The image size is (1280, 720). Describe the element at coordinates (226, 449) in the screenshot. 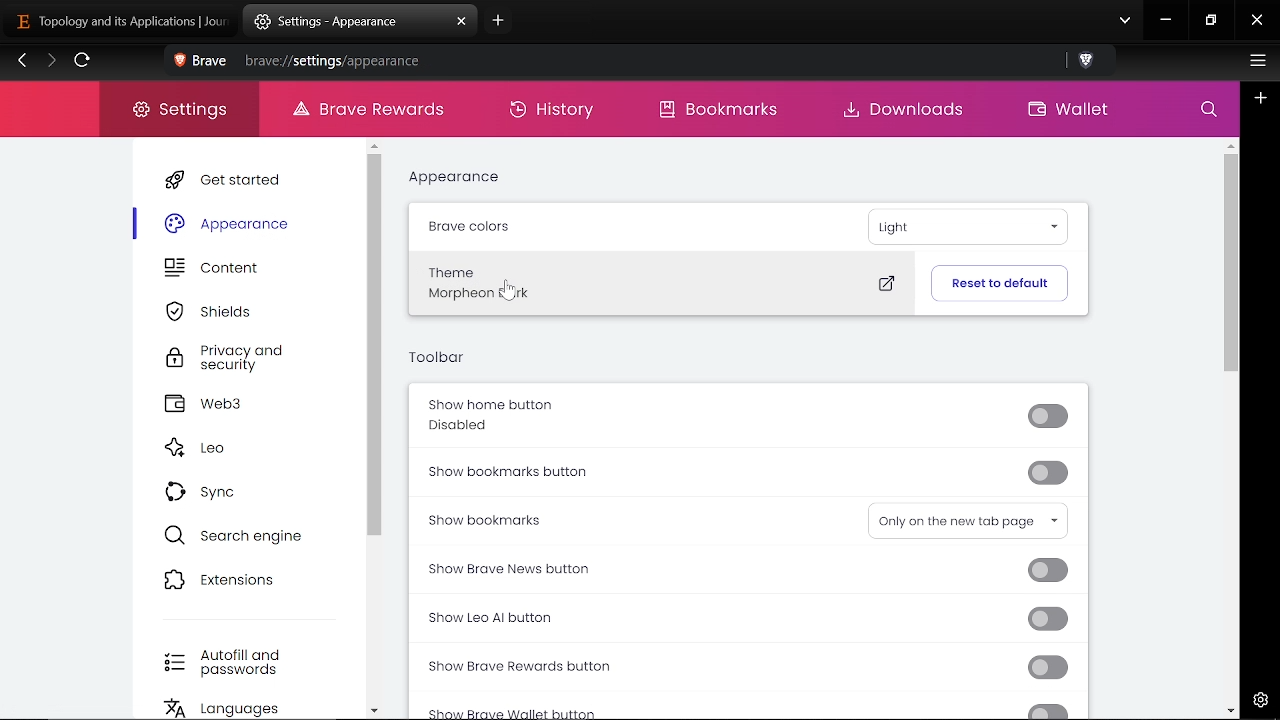

I see `Leo` at that location.